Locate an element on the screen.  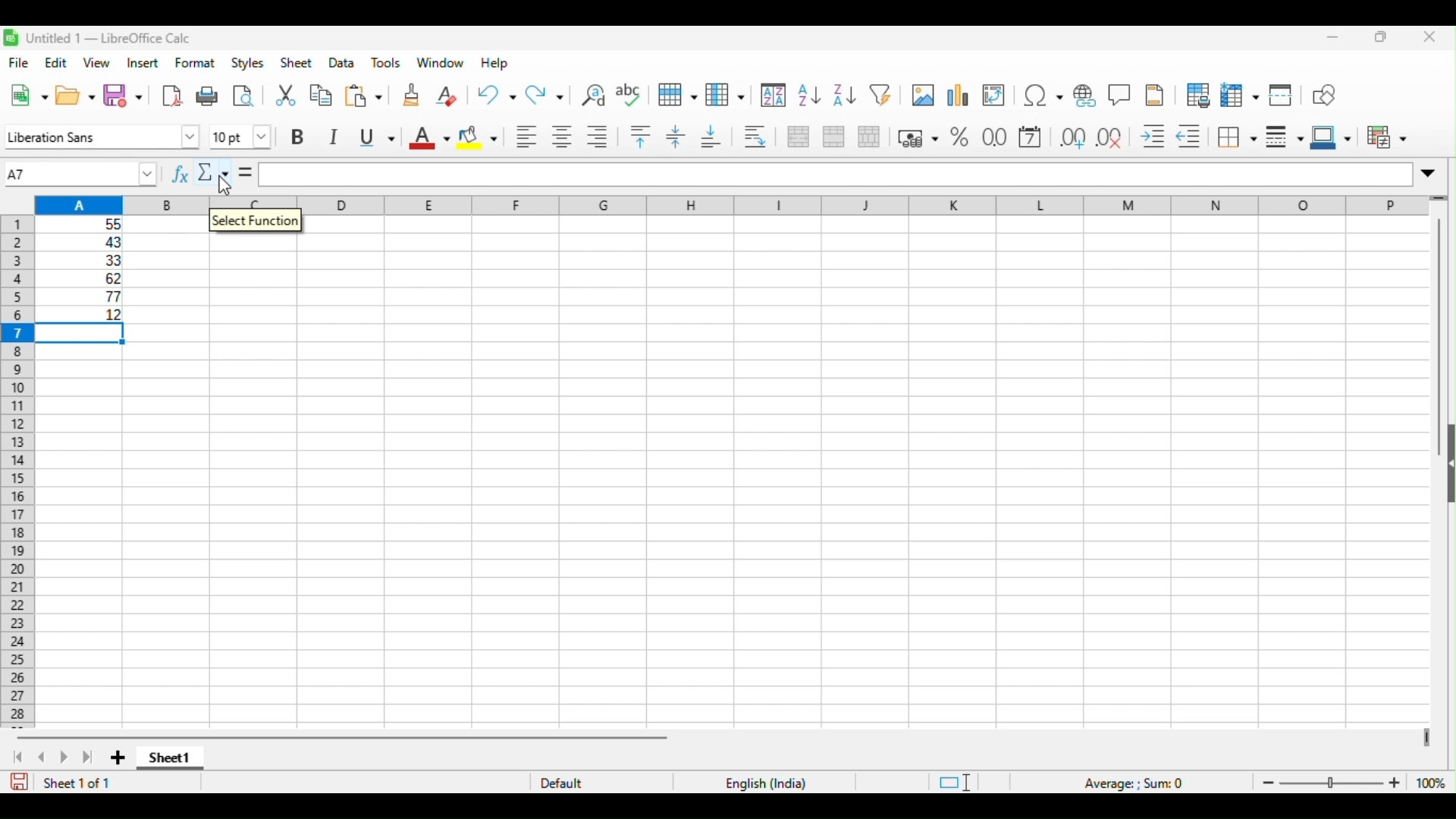
last sheet is located at coordinates (87, 758).